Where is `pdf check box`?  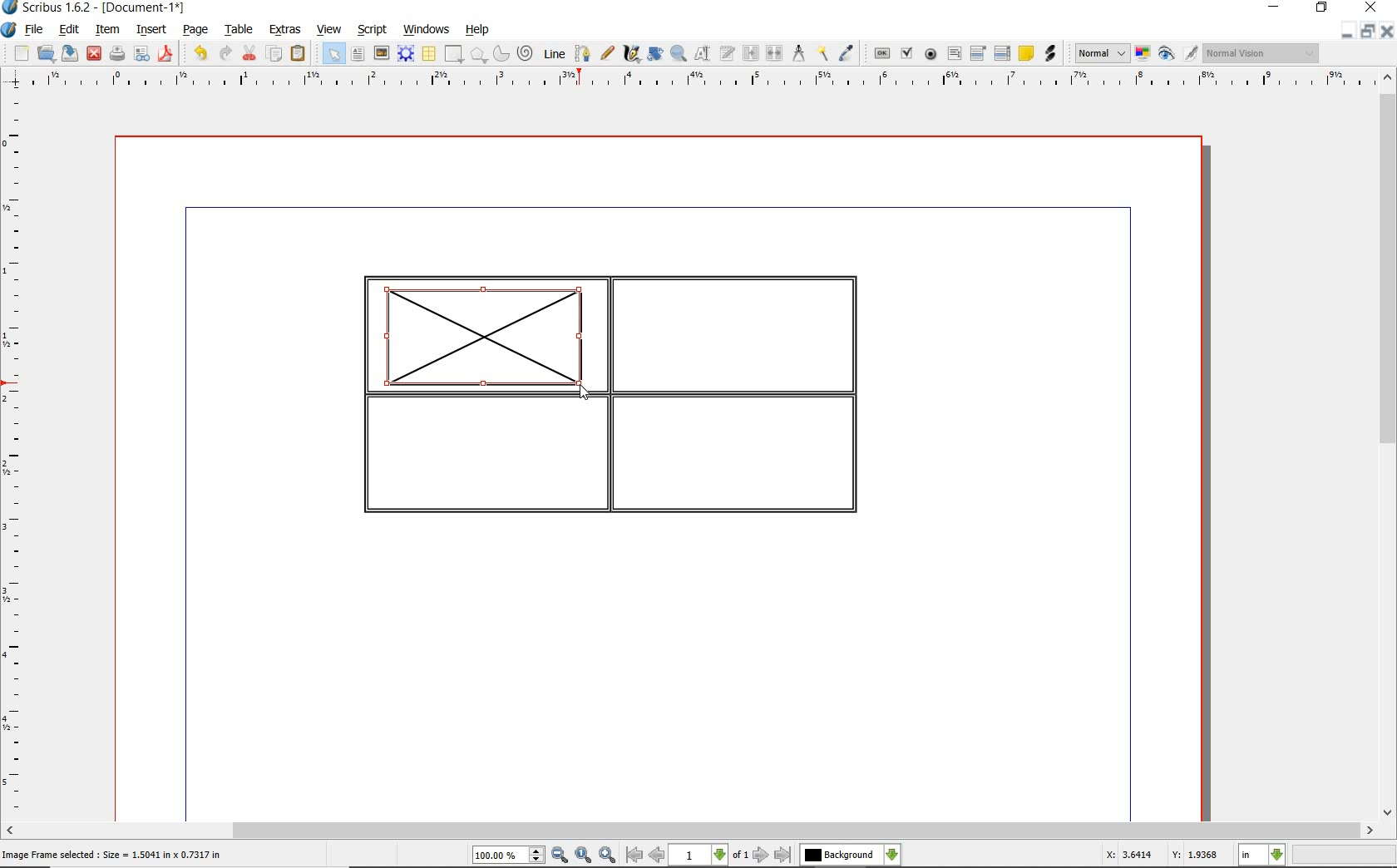 pdf check box is located at coordinates (909, 55).